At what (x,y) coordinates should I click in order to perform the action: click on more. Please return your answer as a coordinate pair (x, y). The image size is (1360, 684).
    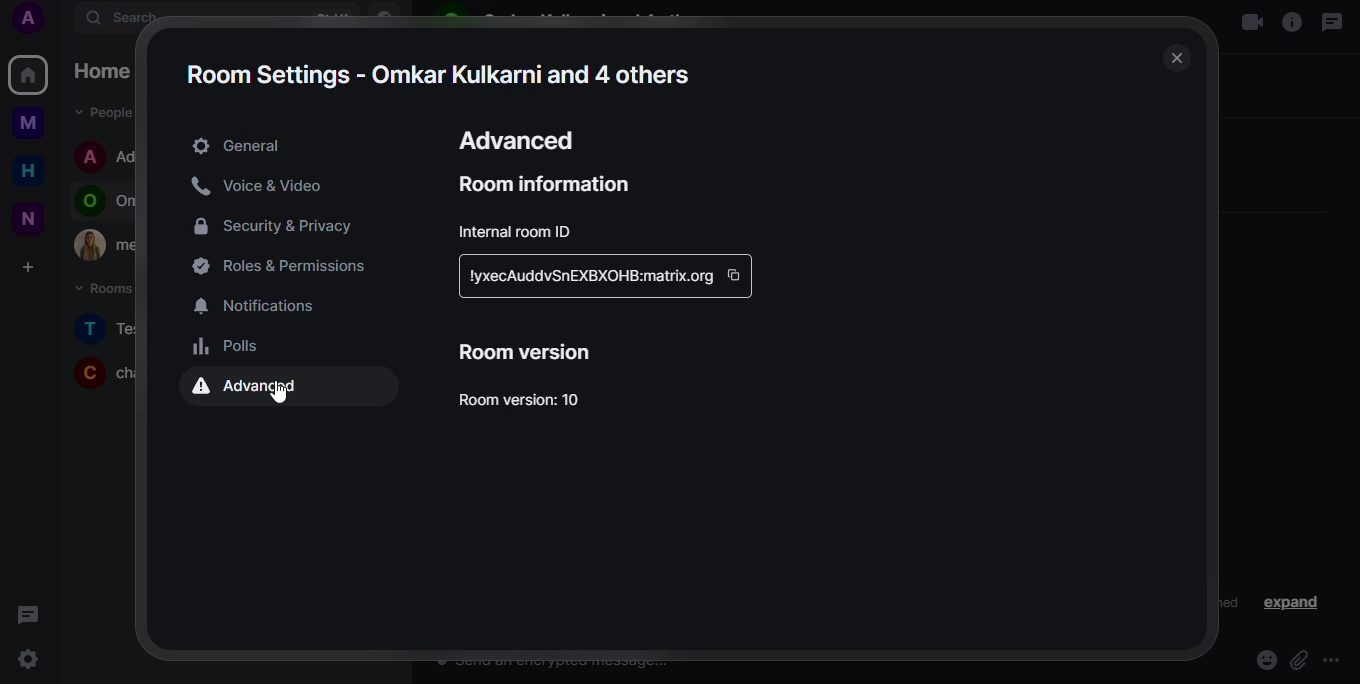
    Looking at the image, I should click on (1336, 660).